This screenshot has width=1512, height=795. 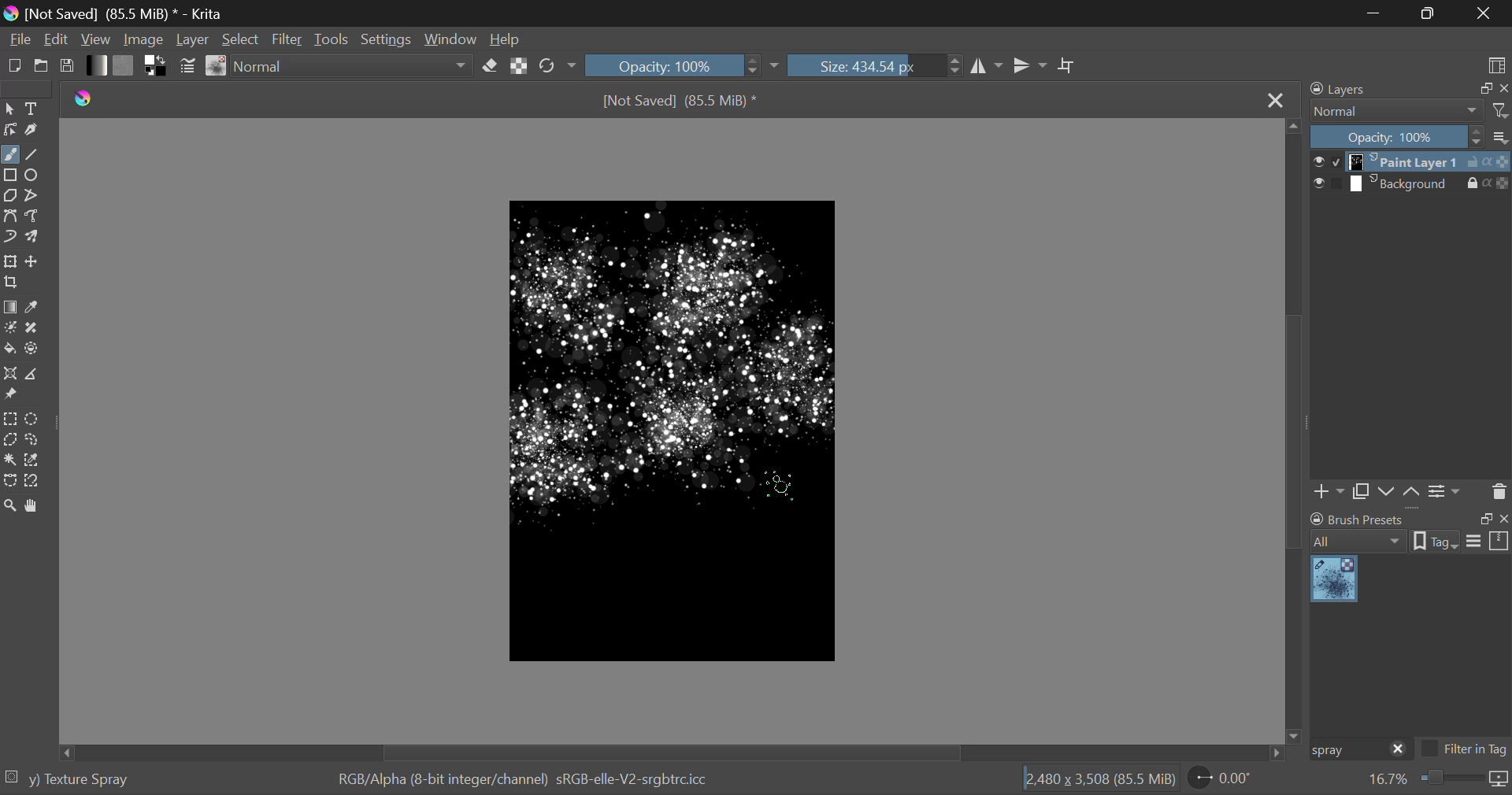 What do you see at coordinates (9, 109) in the screenshot?
I see `Select` at bounding box center [9, 109].